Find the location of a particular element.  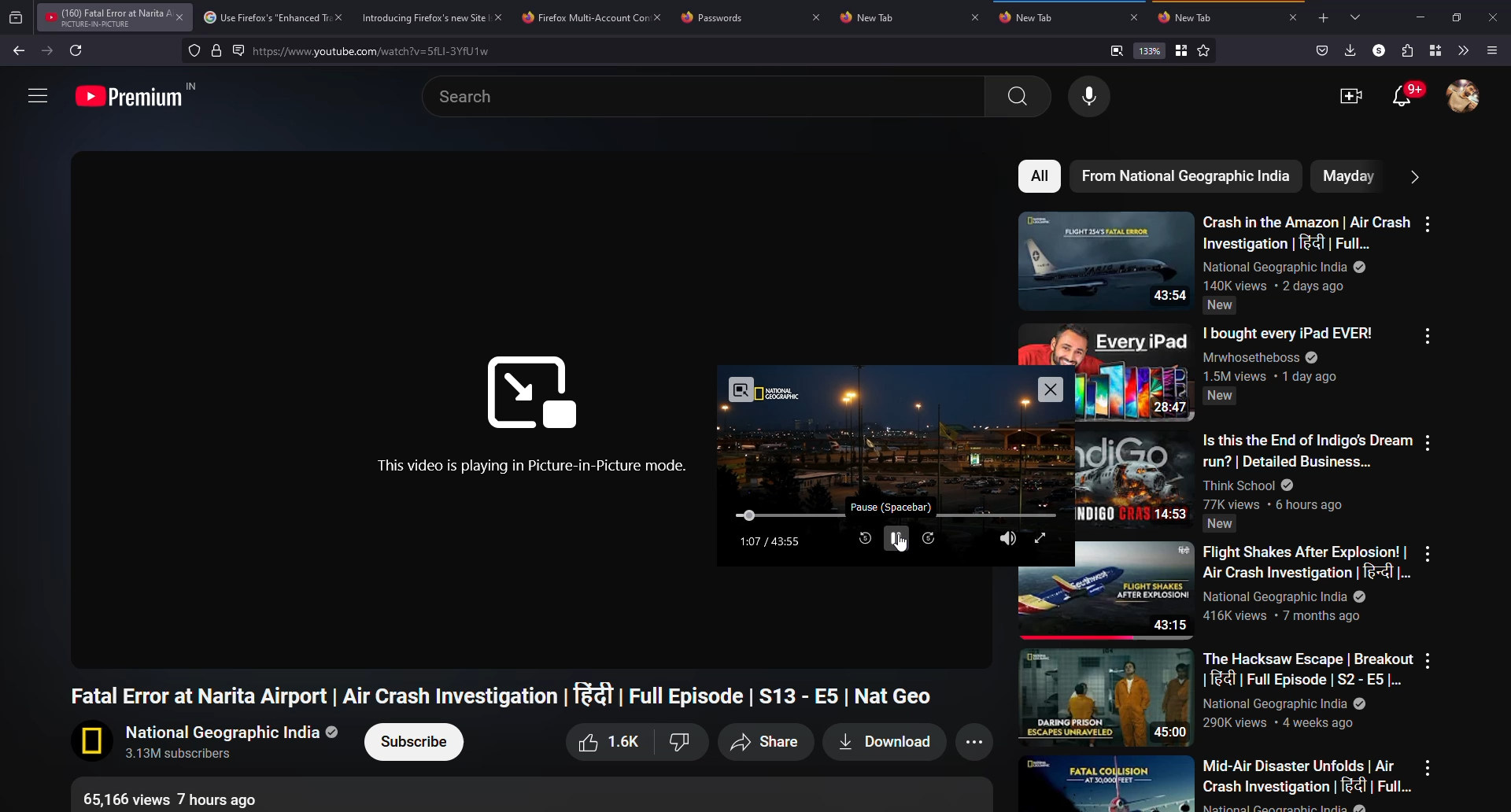

extensions is located at coordinates (1405, 50).